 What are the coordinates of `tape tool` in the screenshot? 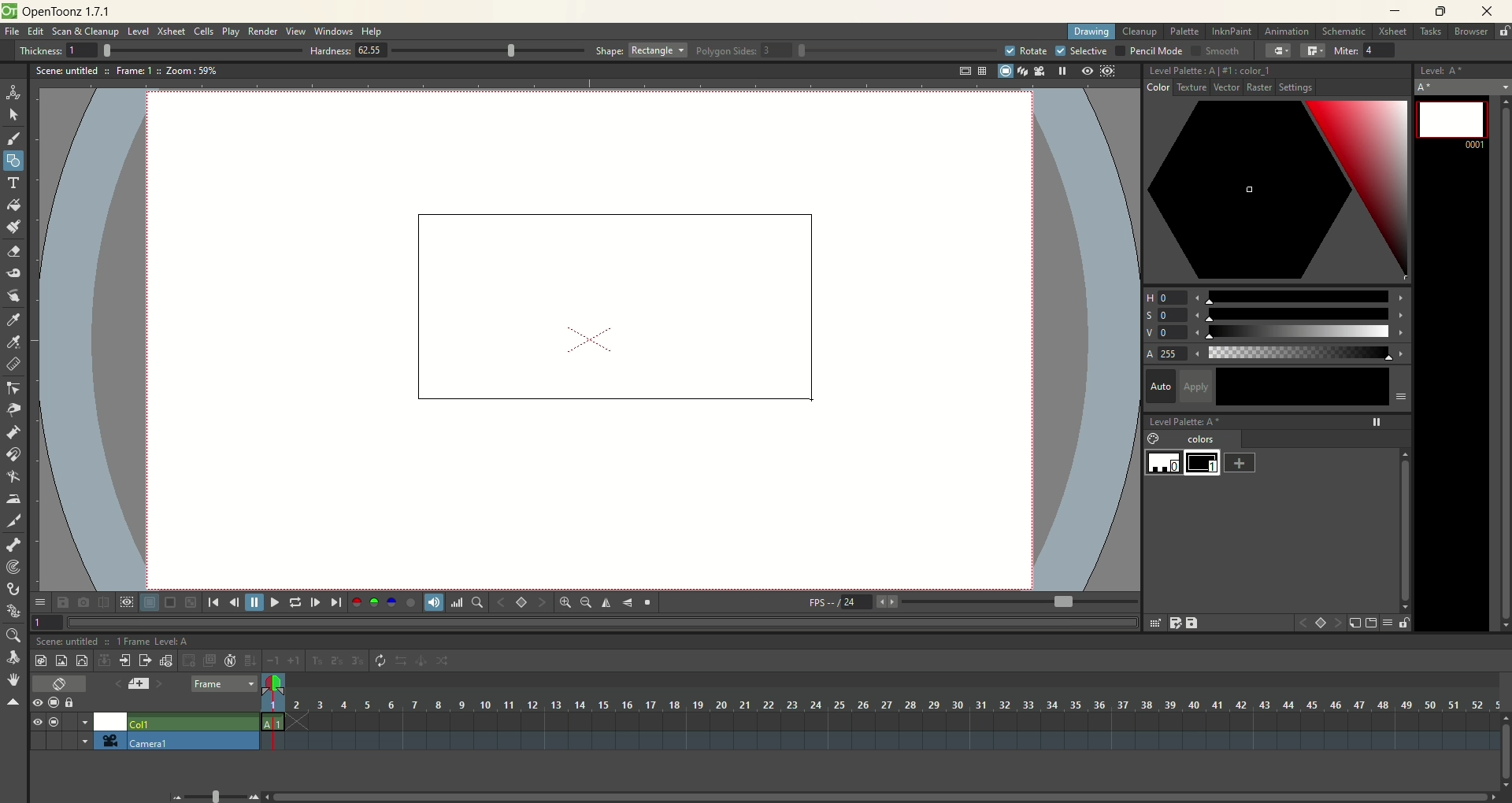 It's located at (13, 273).